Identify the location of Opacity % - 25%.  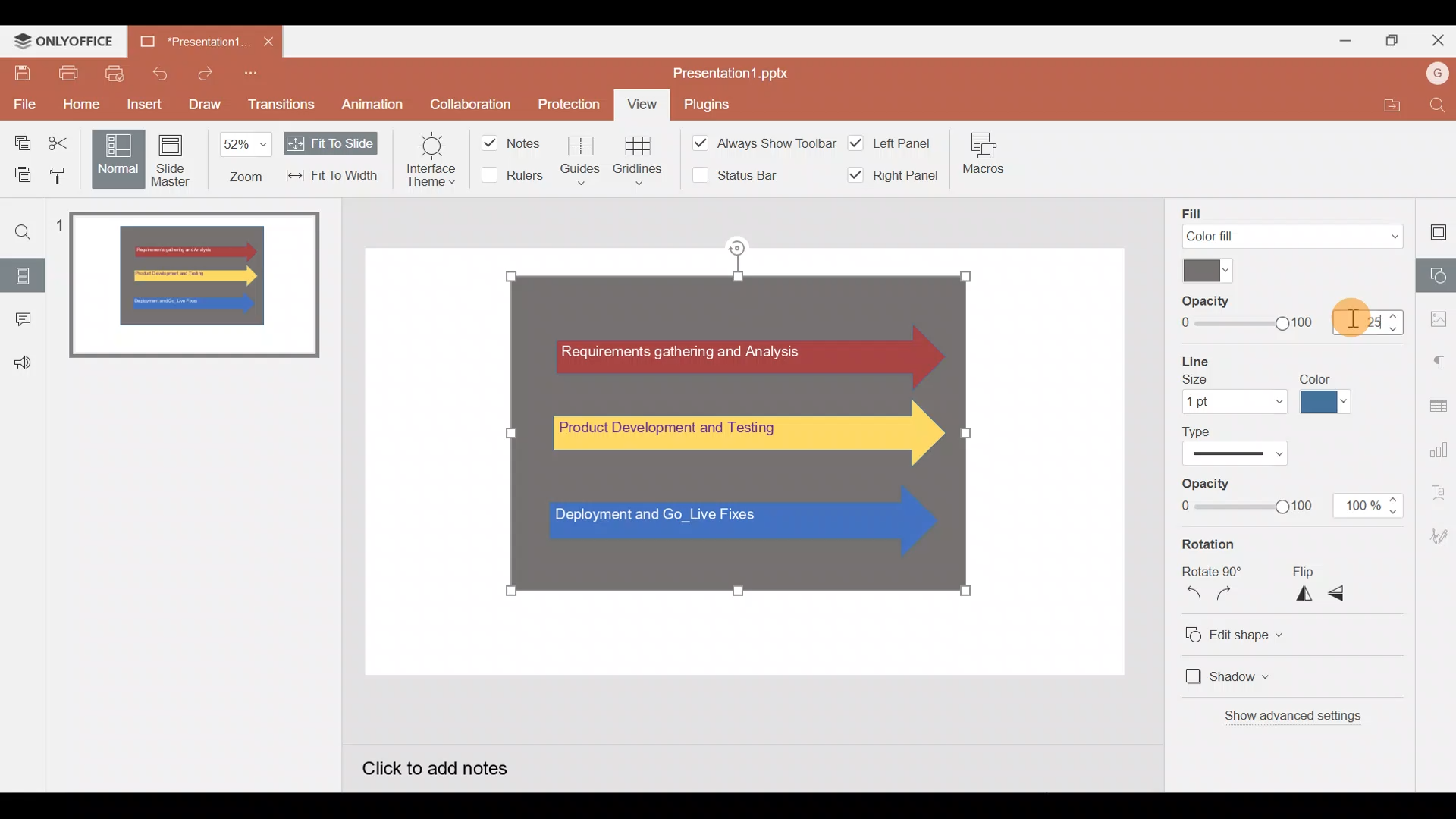
(1373, 322).